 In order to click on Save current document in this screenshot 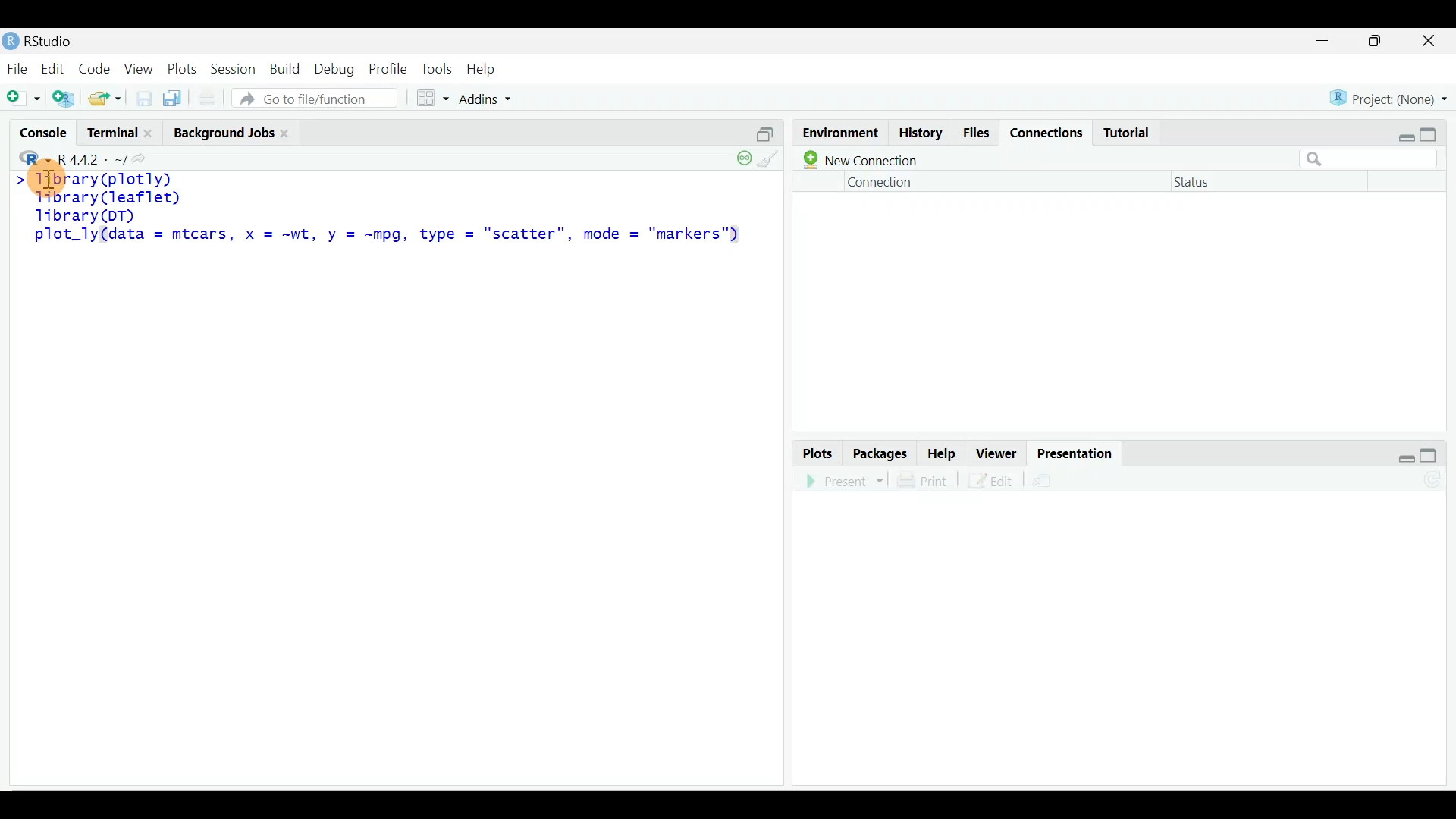, I will do `click(146, 98)`.